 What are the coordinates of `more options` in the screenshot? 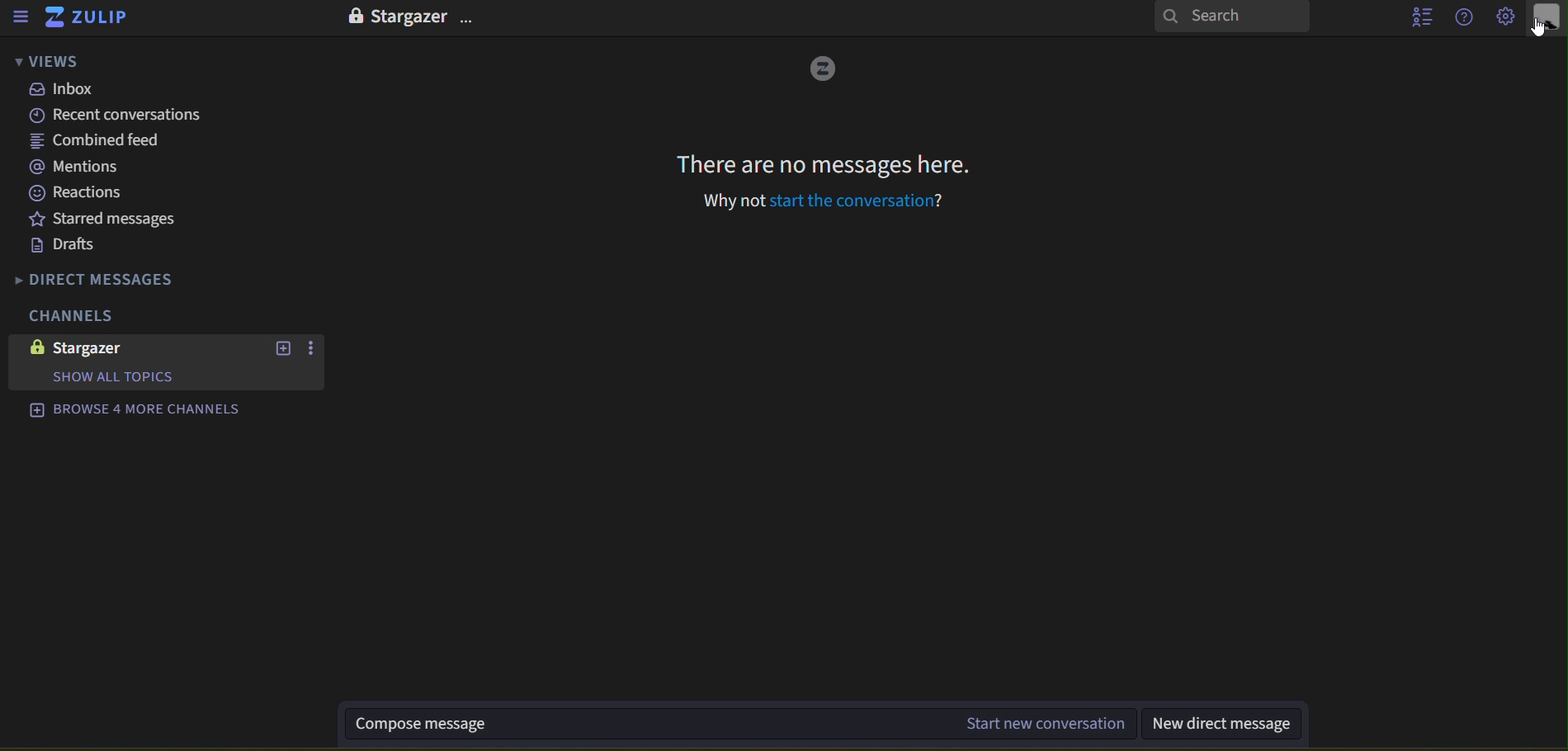 It's located at (310, 351).